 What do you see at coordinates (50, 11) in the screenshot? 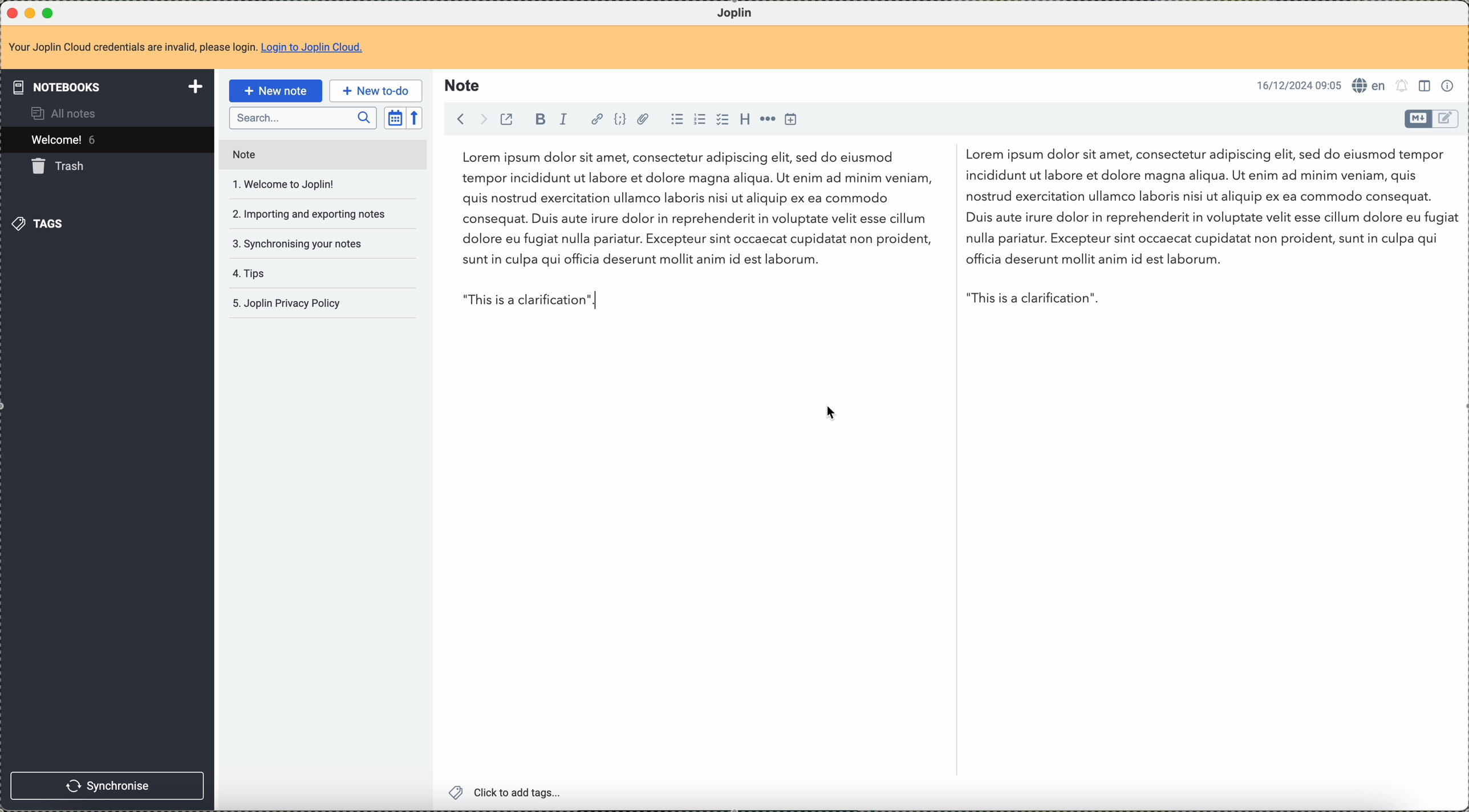
I see `maximize` at bounding box center [50, 11].